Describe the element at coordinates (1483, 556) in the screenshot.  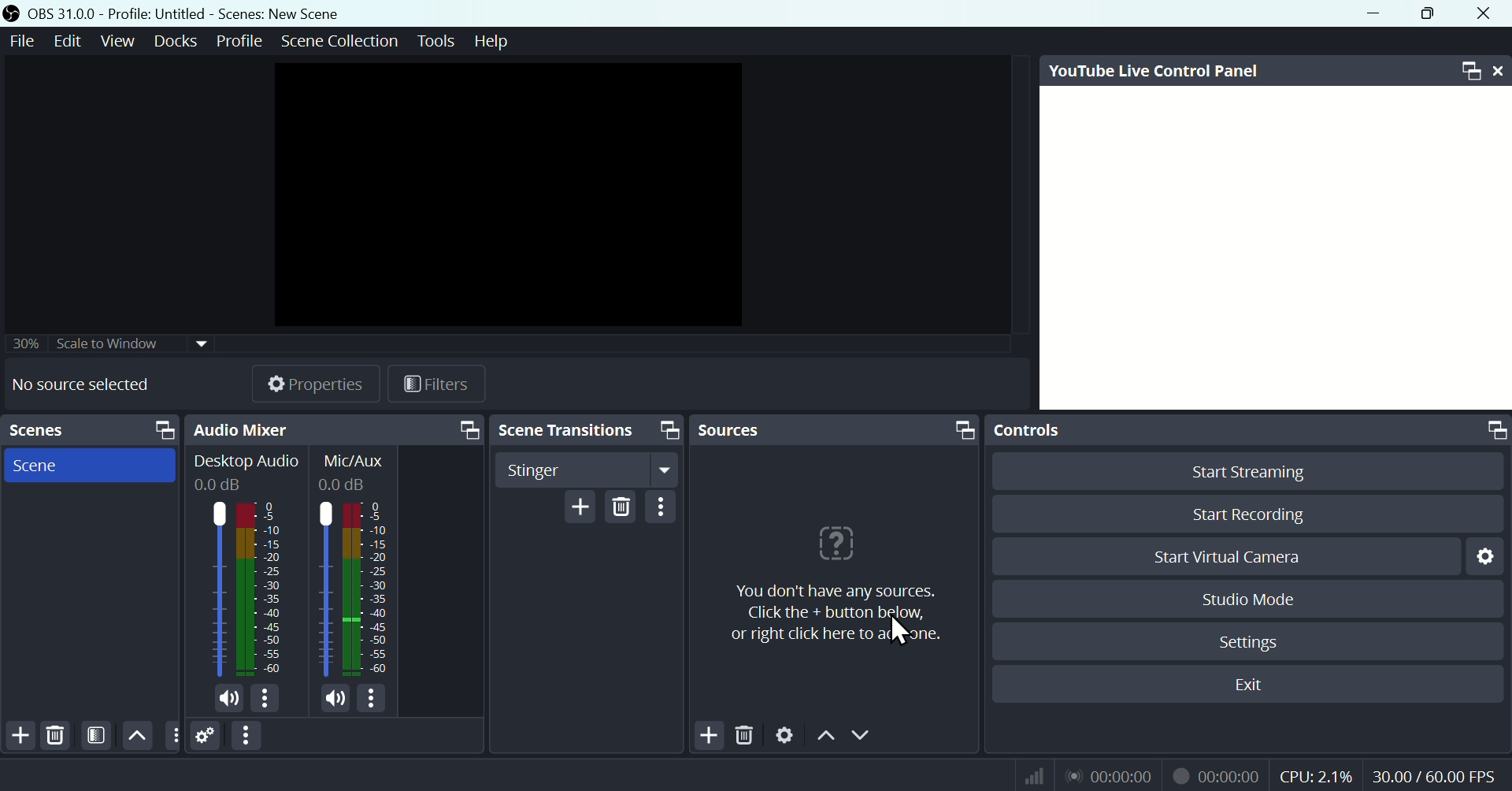
I see `Settings` at that location.